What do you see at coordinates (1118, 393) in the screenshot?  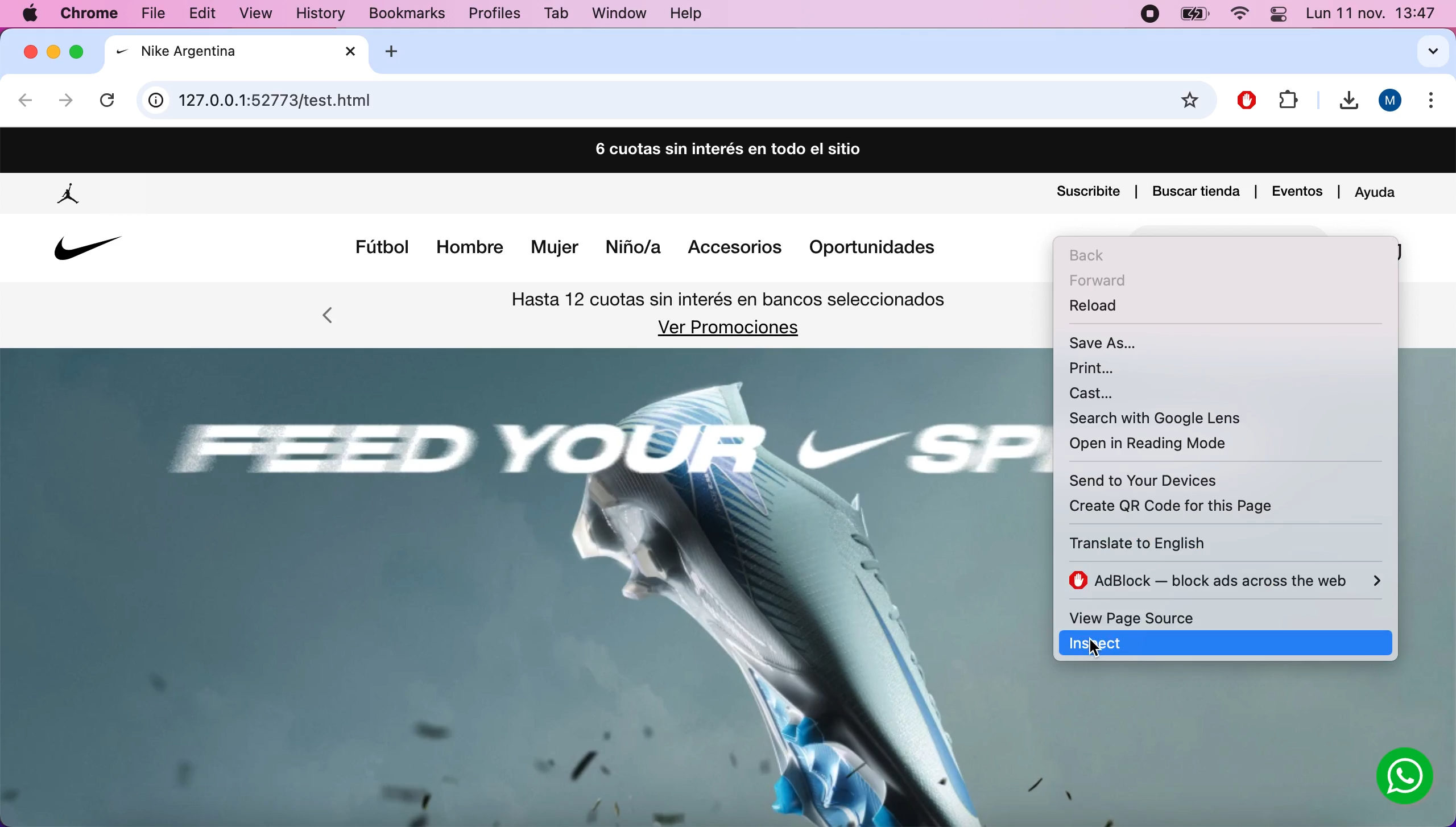 I see `cast` at bounding box center [1118, 393].